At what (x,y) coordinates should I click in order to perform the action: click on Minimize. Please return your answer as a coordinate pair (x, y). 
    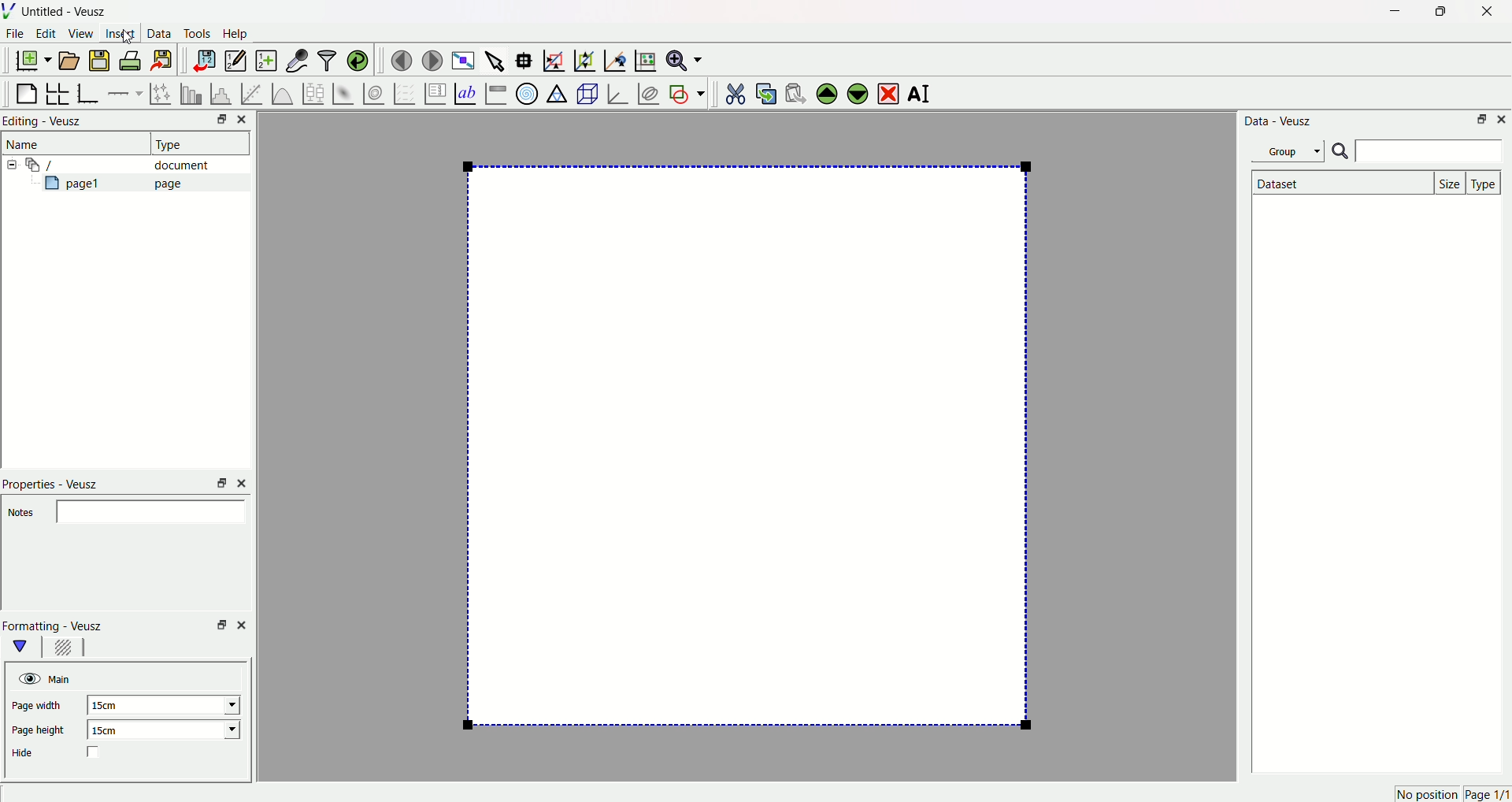
    Looking at the image, I should click on (1480, 121).